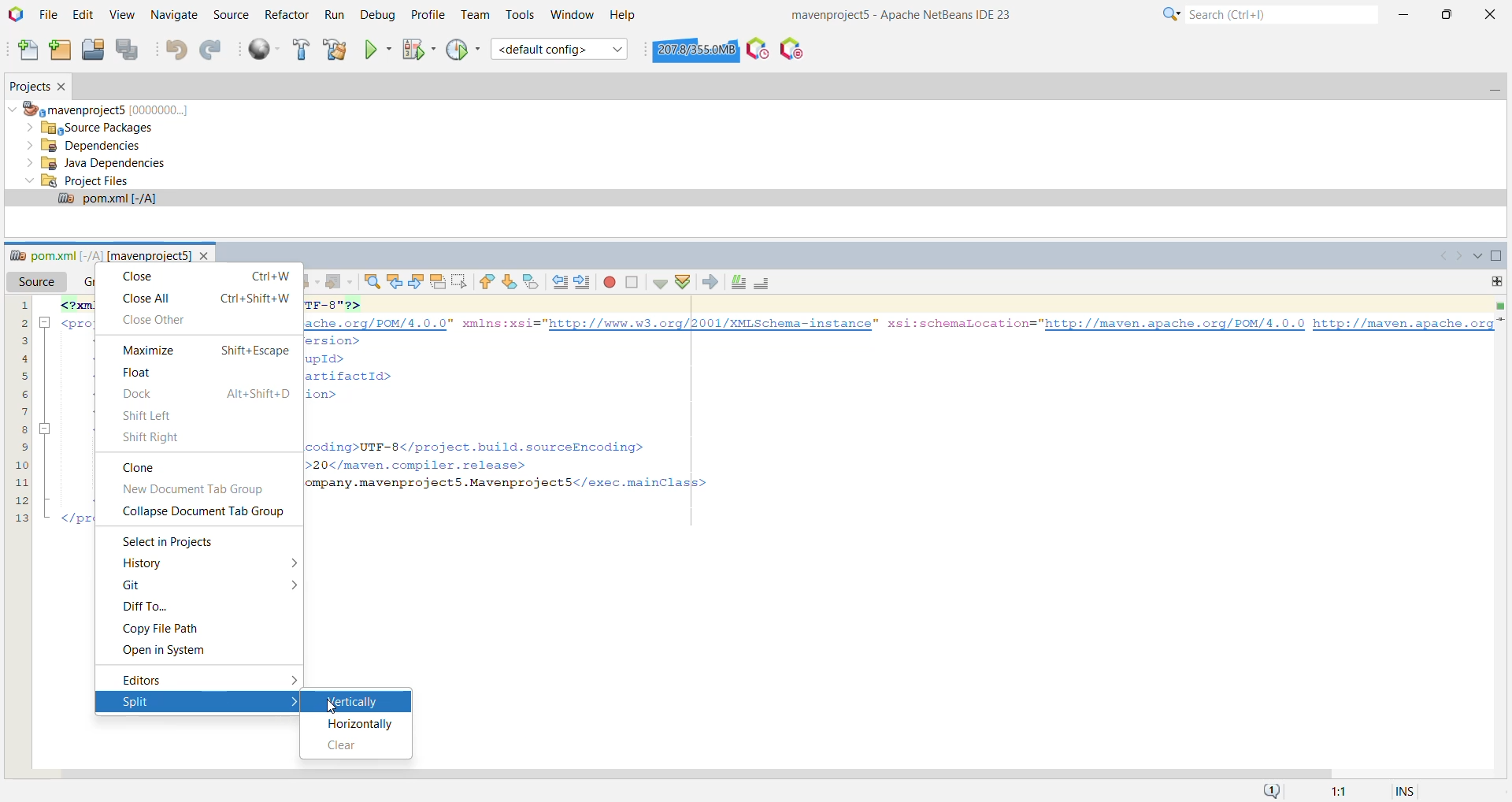 This screenshot has width=1512, height=802. Describe the element at coordinates (166, 320) in the screenshot. I see `Close Other` at that location.